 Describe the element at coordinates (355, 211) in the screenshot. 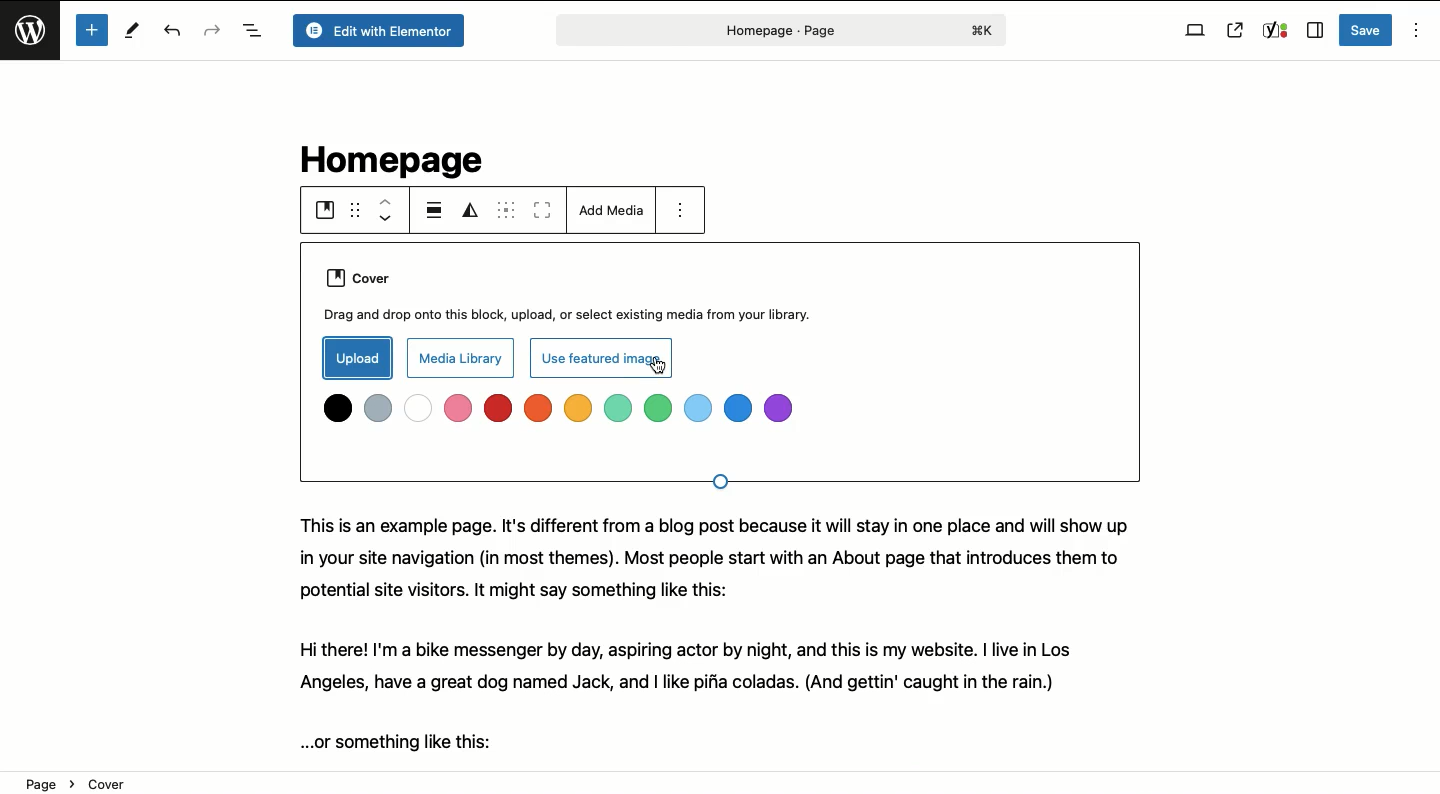

I see `Drag` at that location.